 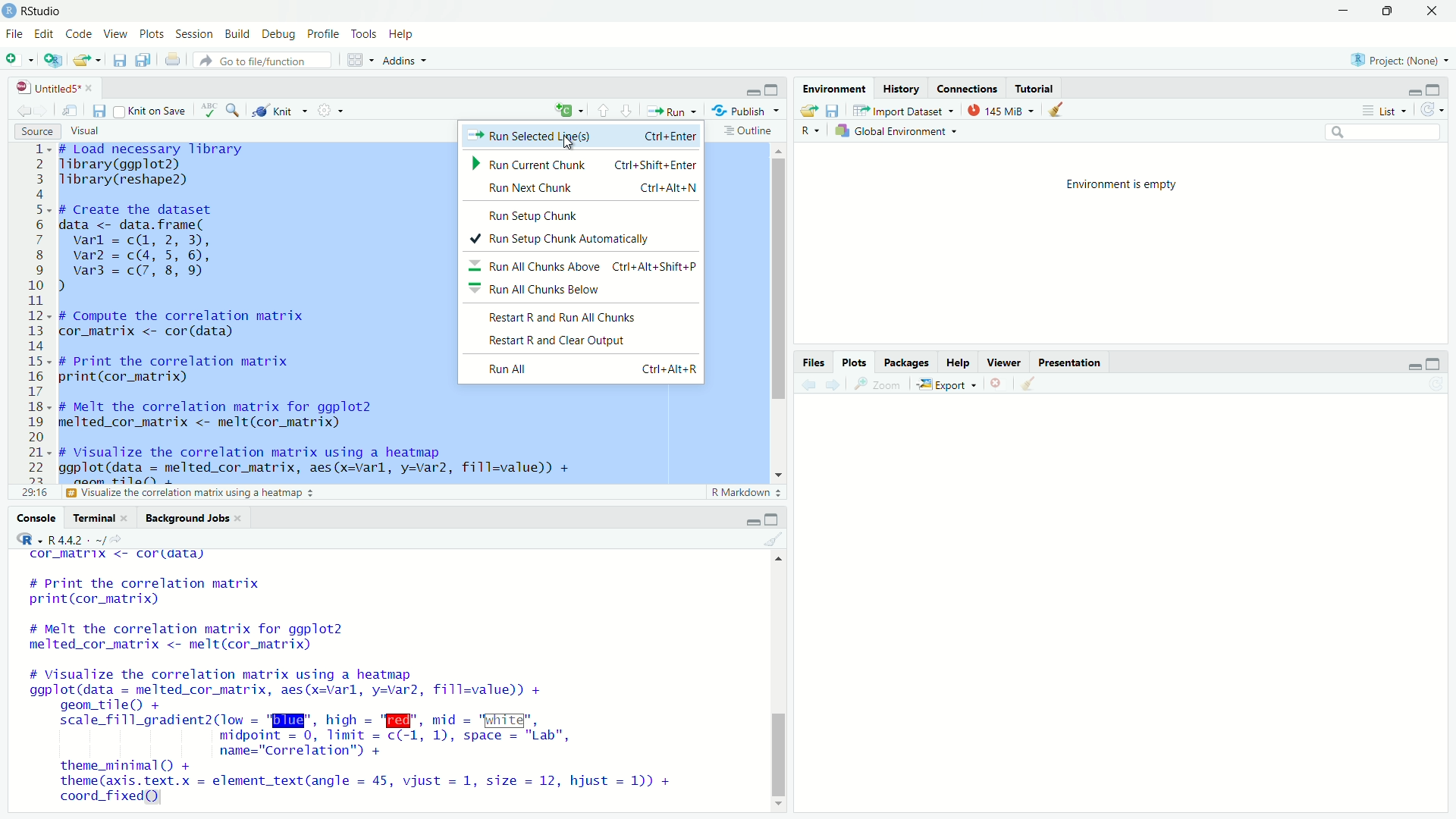 I want to click on zoom, so click(x=881, y=384).